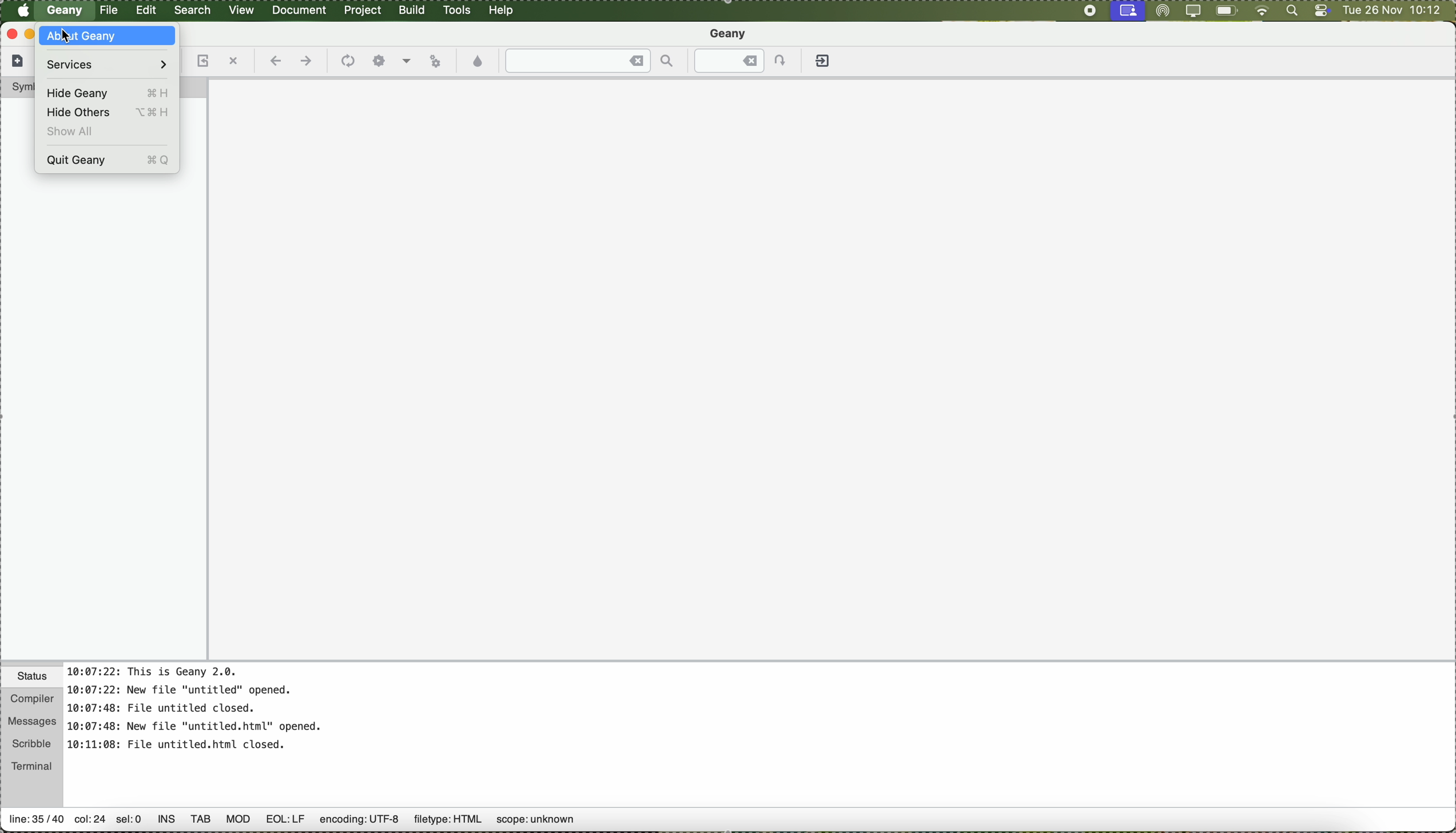 This screenshot has height=833, width=1456. I want to click on encoding: UTF-8, so click(358, 823).